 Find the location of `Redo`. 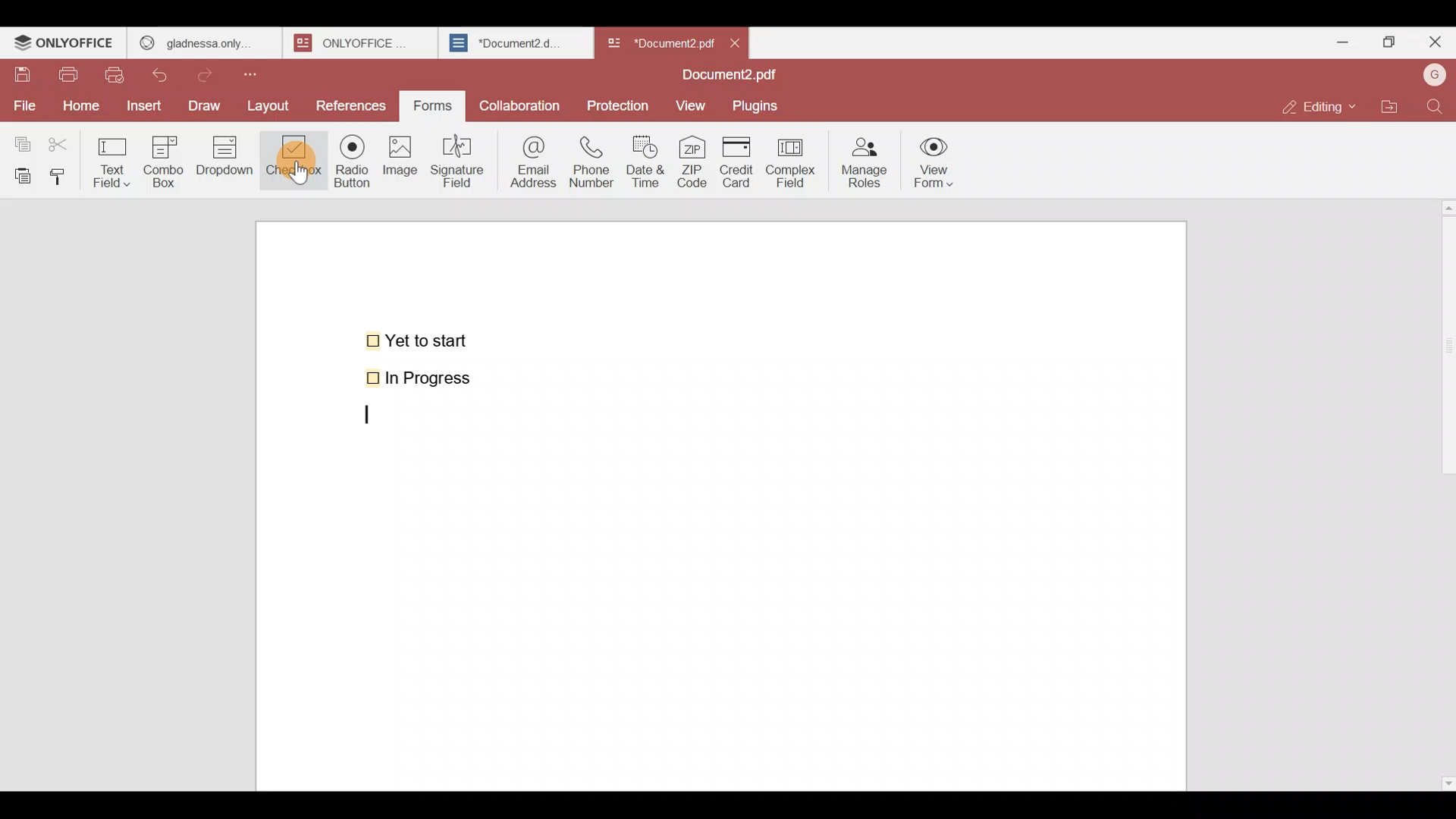

Redo is located at coordinates (212, 71).